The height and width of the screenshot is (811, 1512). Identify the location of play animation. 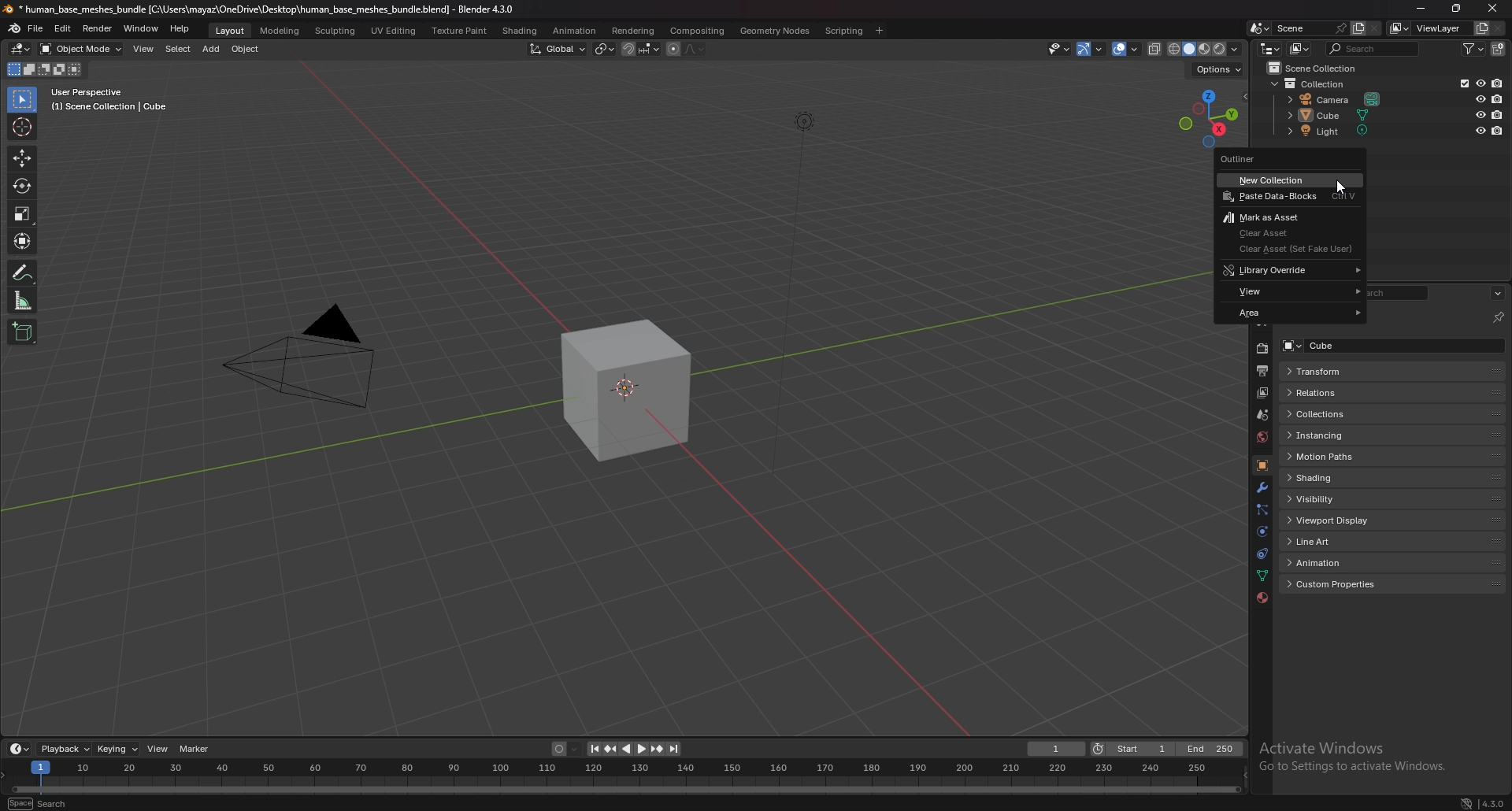
(635, 749).